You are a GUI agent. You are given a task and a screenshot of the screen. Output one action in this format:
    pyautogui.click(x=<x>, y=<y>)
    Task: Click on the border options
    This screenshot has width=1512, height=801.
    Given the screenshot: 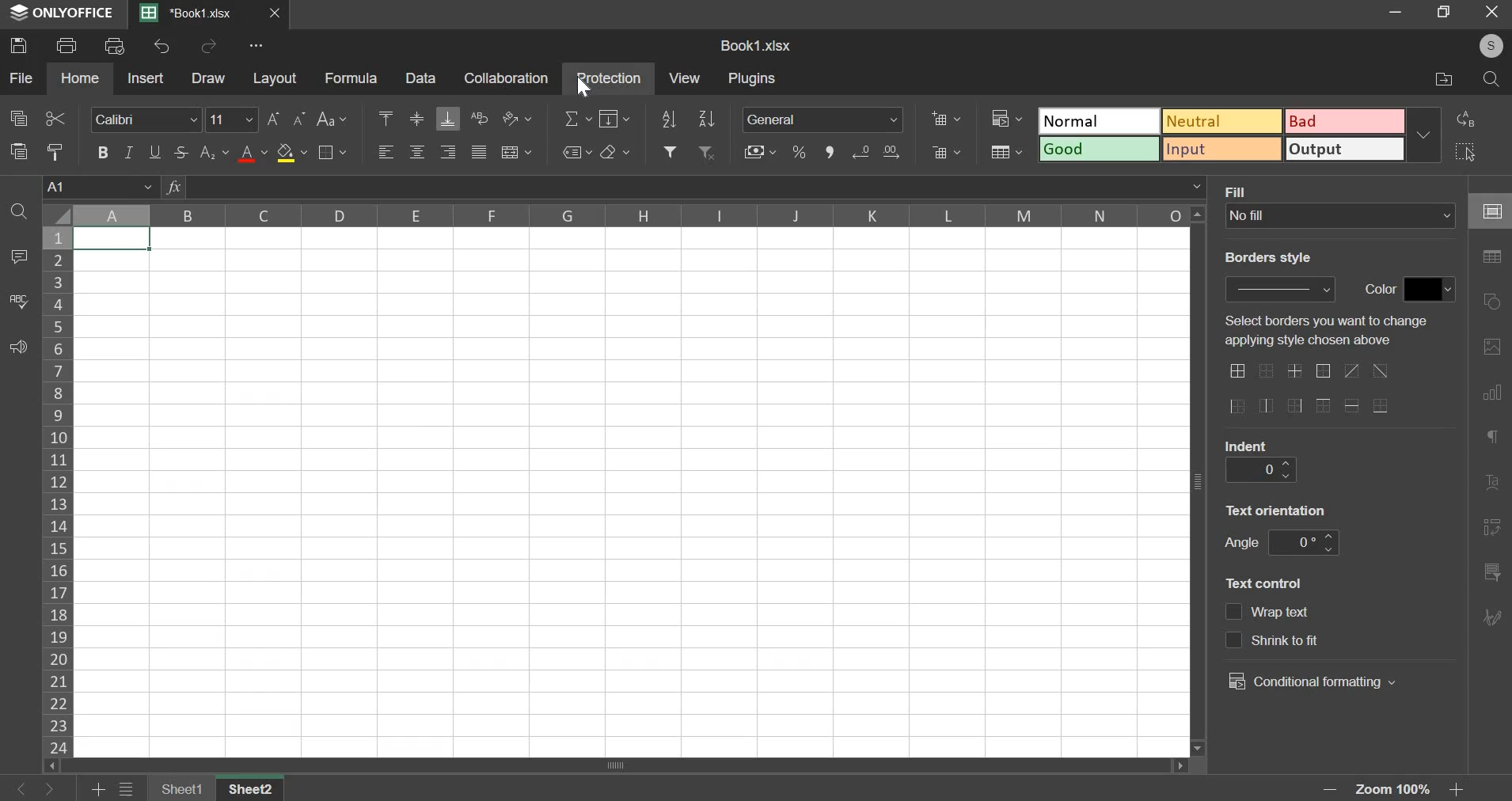 What is the action you would take?
    pyautogui.click(x=1237, y=407)
    